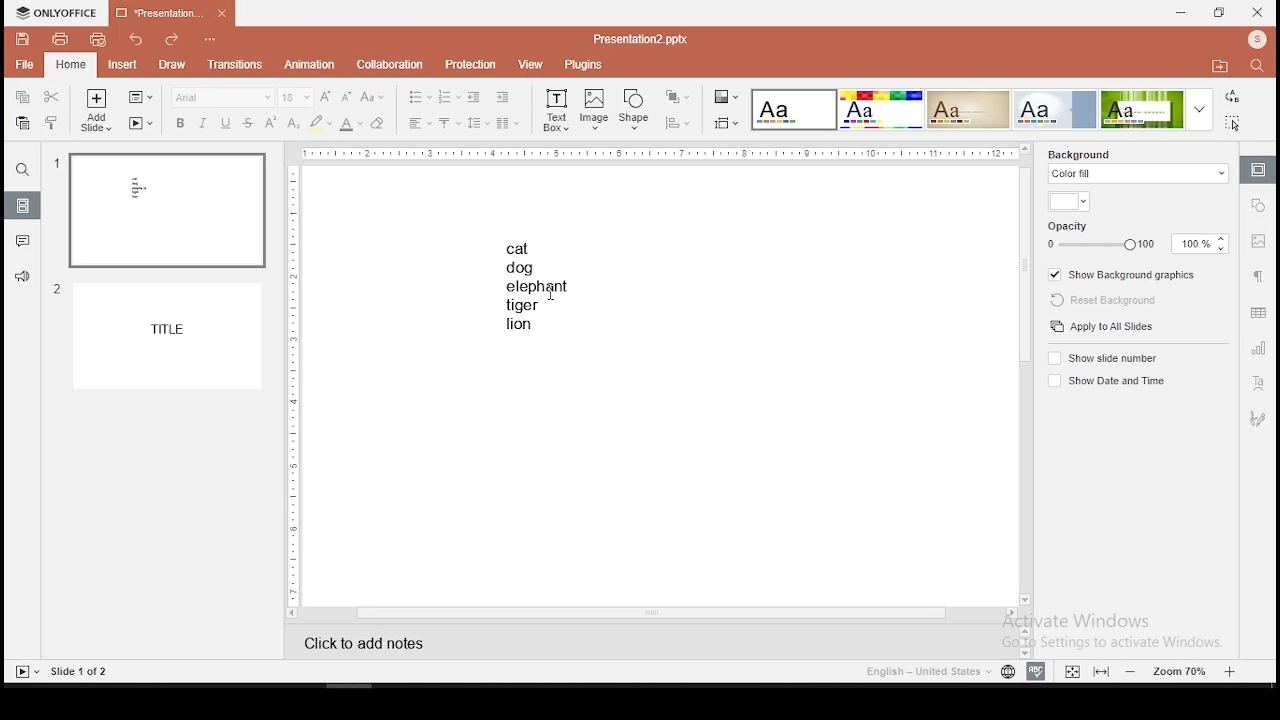 This screenshot has height=720, width=1280. What do you see at coordinates (293, 383) in the screenshot?
I see `vertical scale` at bounding box center [293, 383].